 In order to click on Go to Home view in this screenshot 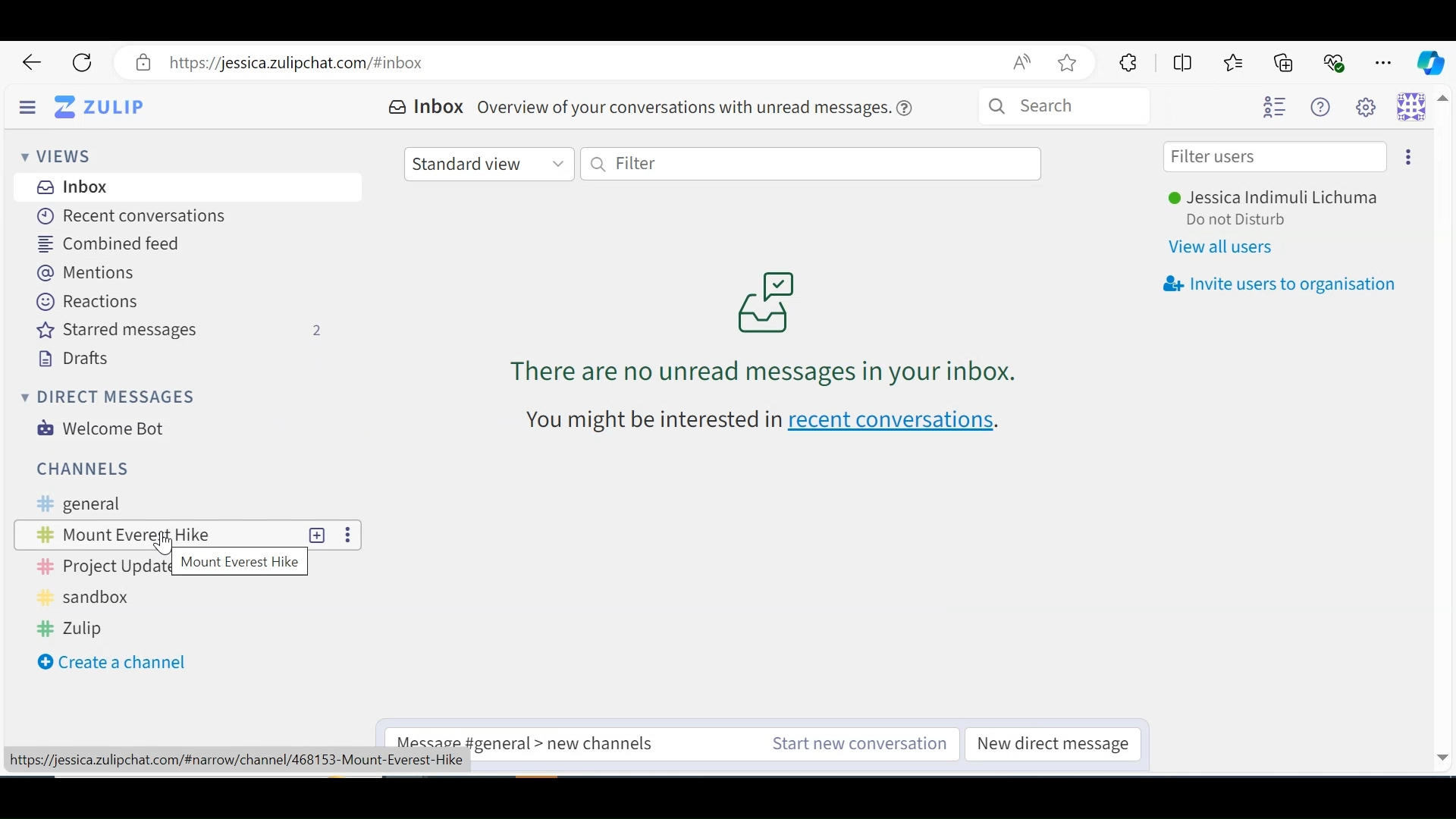, I will do `click(111, 106)`.